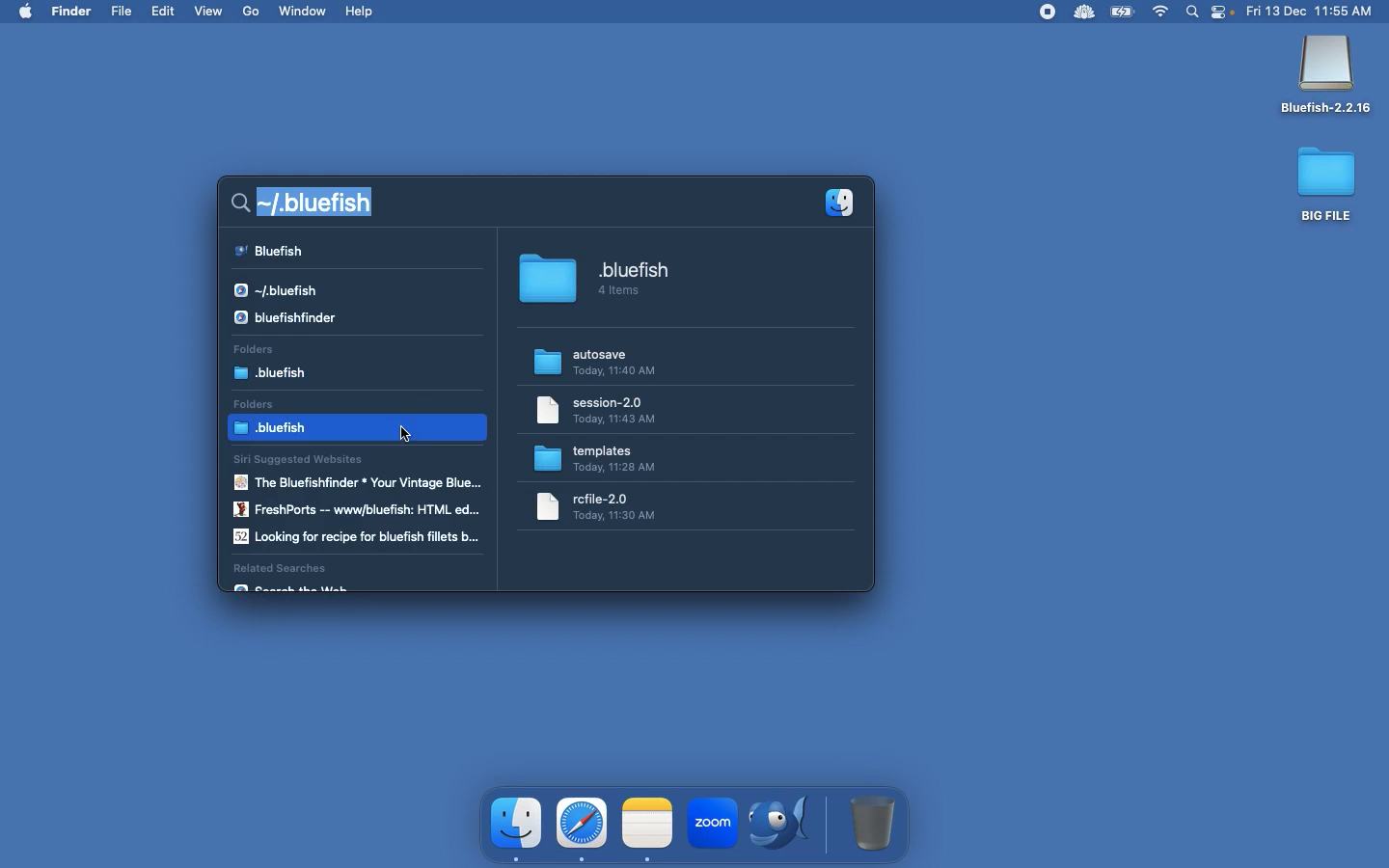 The image size is (1389, 868). What do you see at coordinates (711, 826) in the screenshot?
I see `zoom` at bounding box center [711, 826].